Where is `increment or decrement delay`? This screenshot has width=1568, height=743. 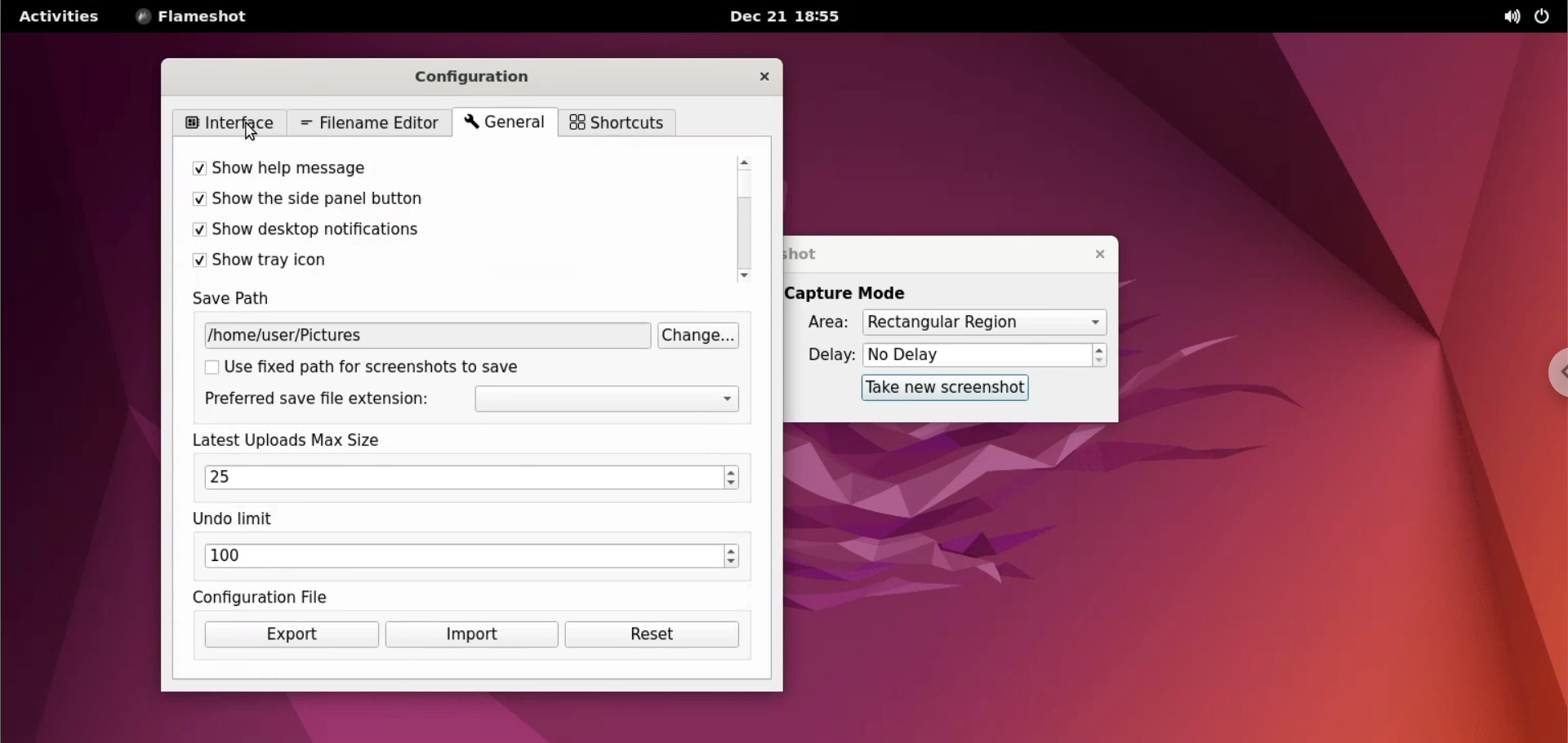 increment or decrement delay is located at coordinates (1100, 356).